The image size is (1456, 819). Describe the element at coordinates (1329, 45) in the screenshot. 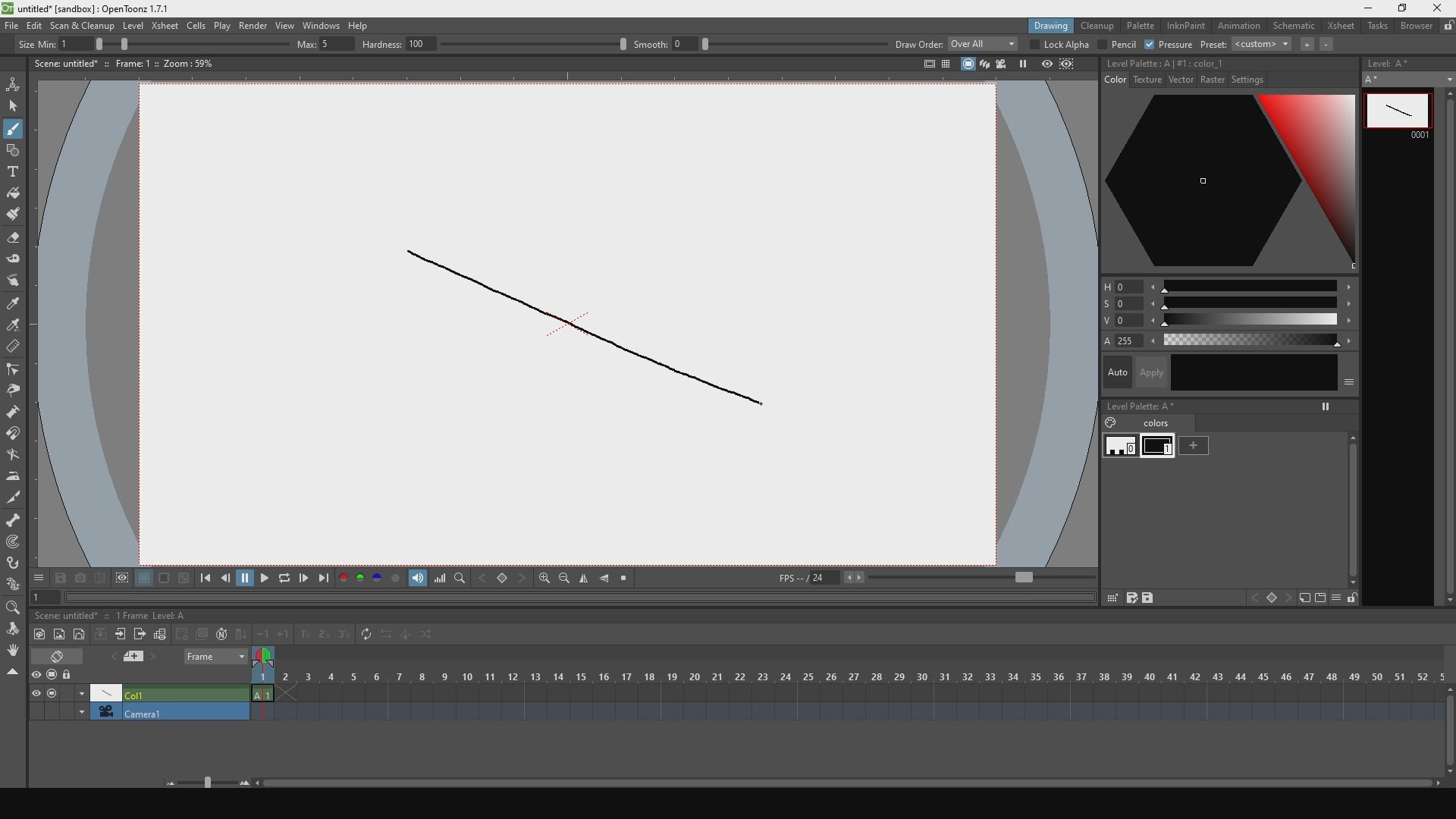

I see `` at that location.